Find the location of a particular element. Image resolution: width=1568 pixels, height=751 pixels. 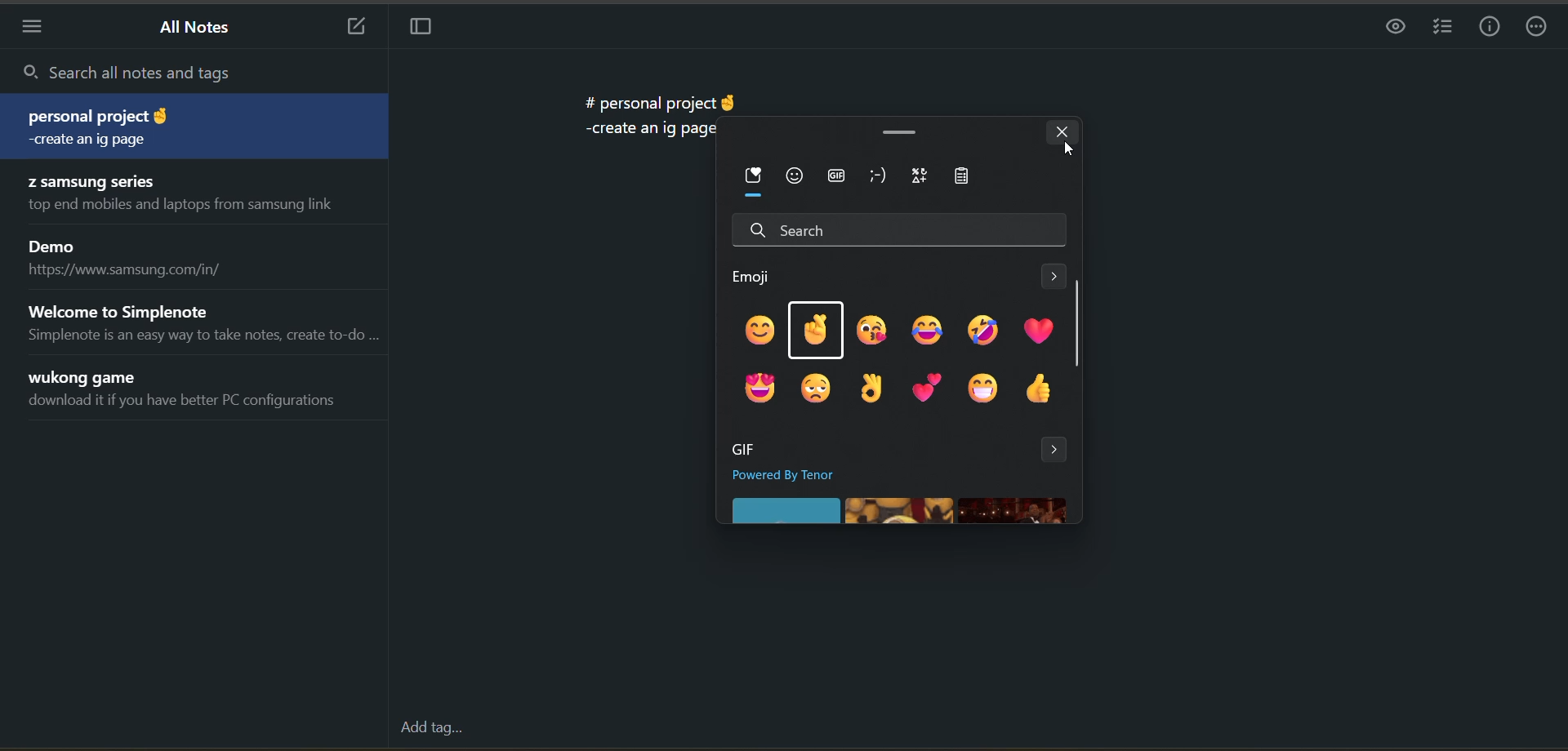

# personal project
-create an ig page is located at coordinates (645, 116).